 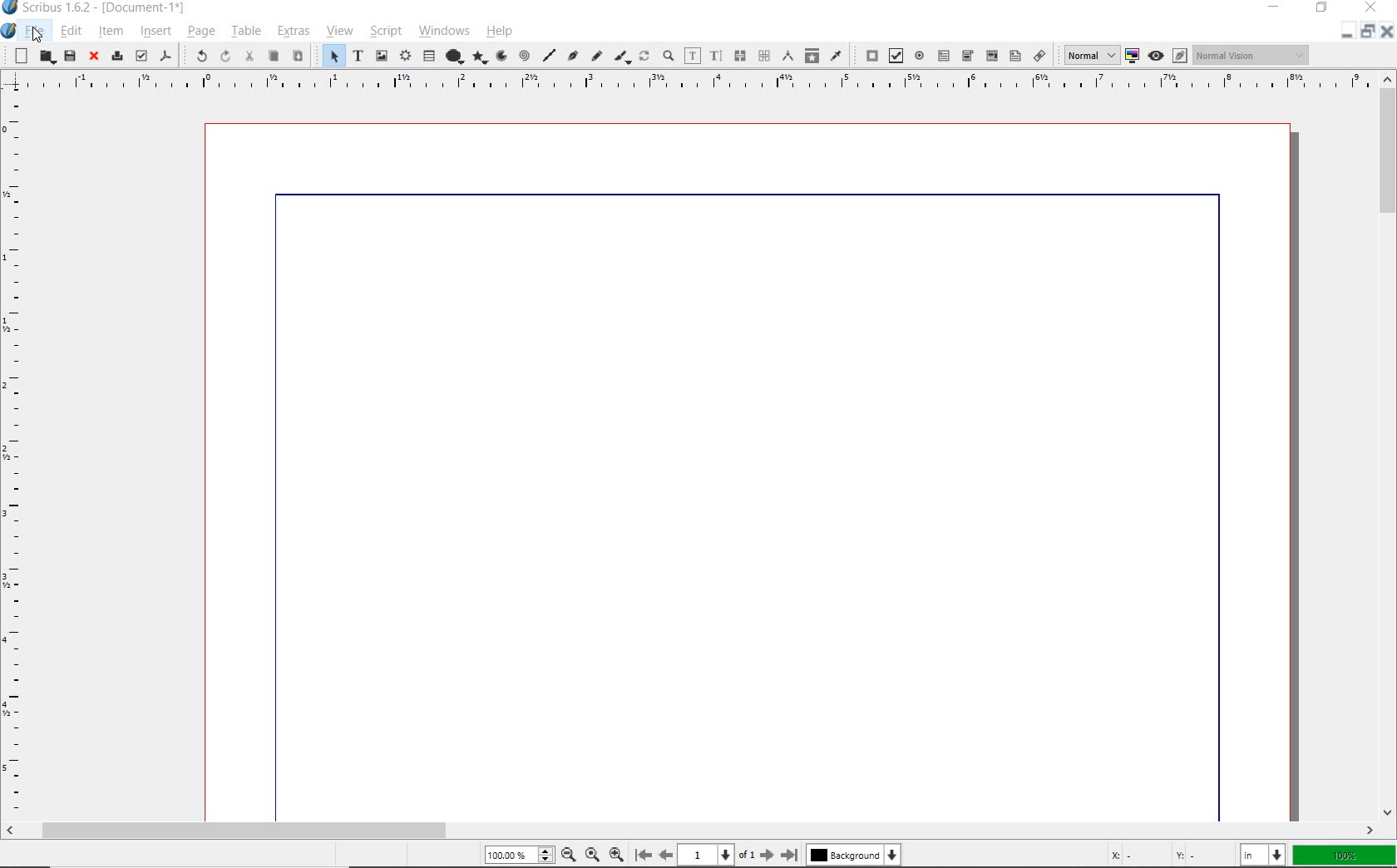 What do you see at coordinates (505, 55) in the screenshot?
I see `arc` at bounding box center [505, 55].